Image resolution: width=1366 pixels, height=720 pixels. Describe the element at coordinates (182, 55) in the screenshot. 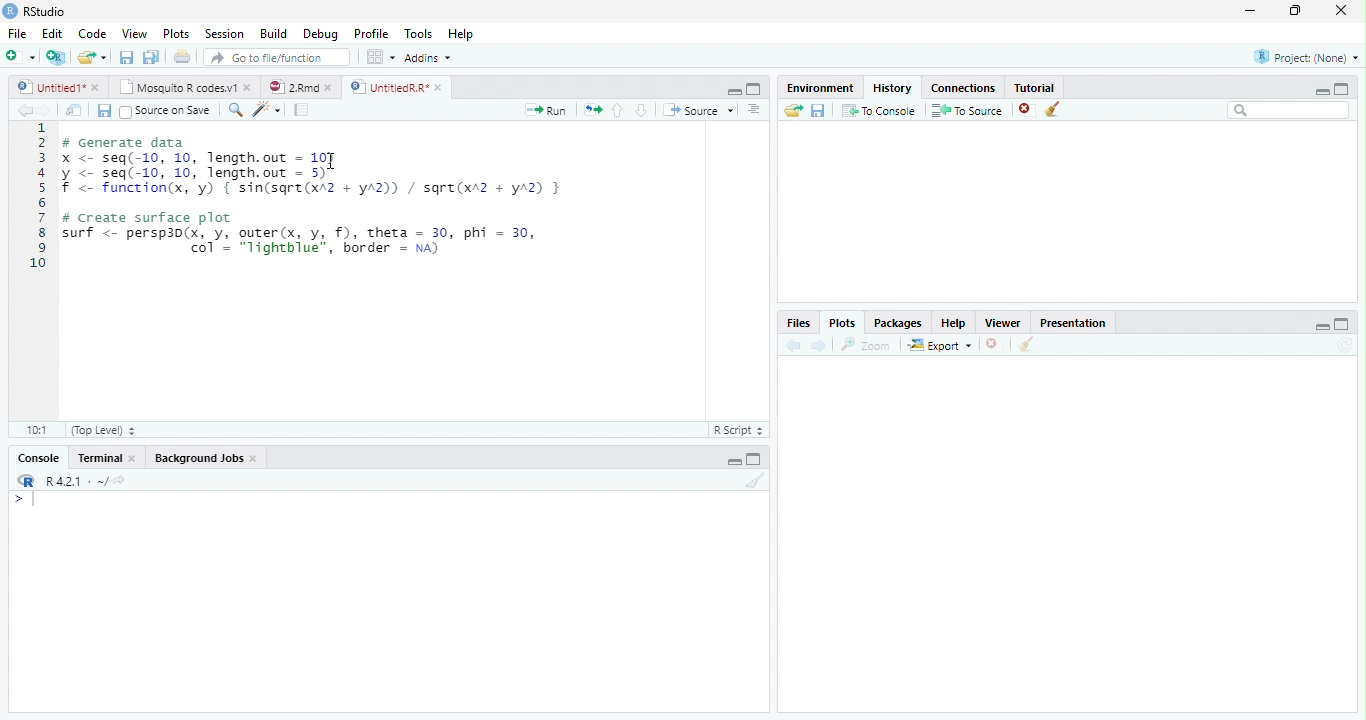

I see `Print the current file` at that location.